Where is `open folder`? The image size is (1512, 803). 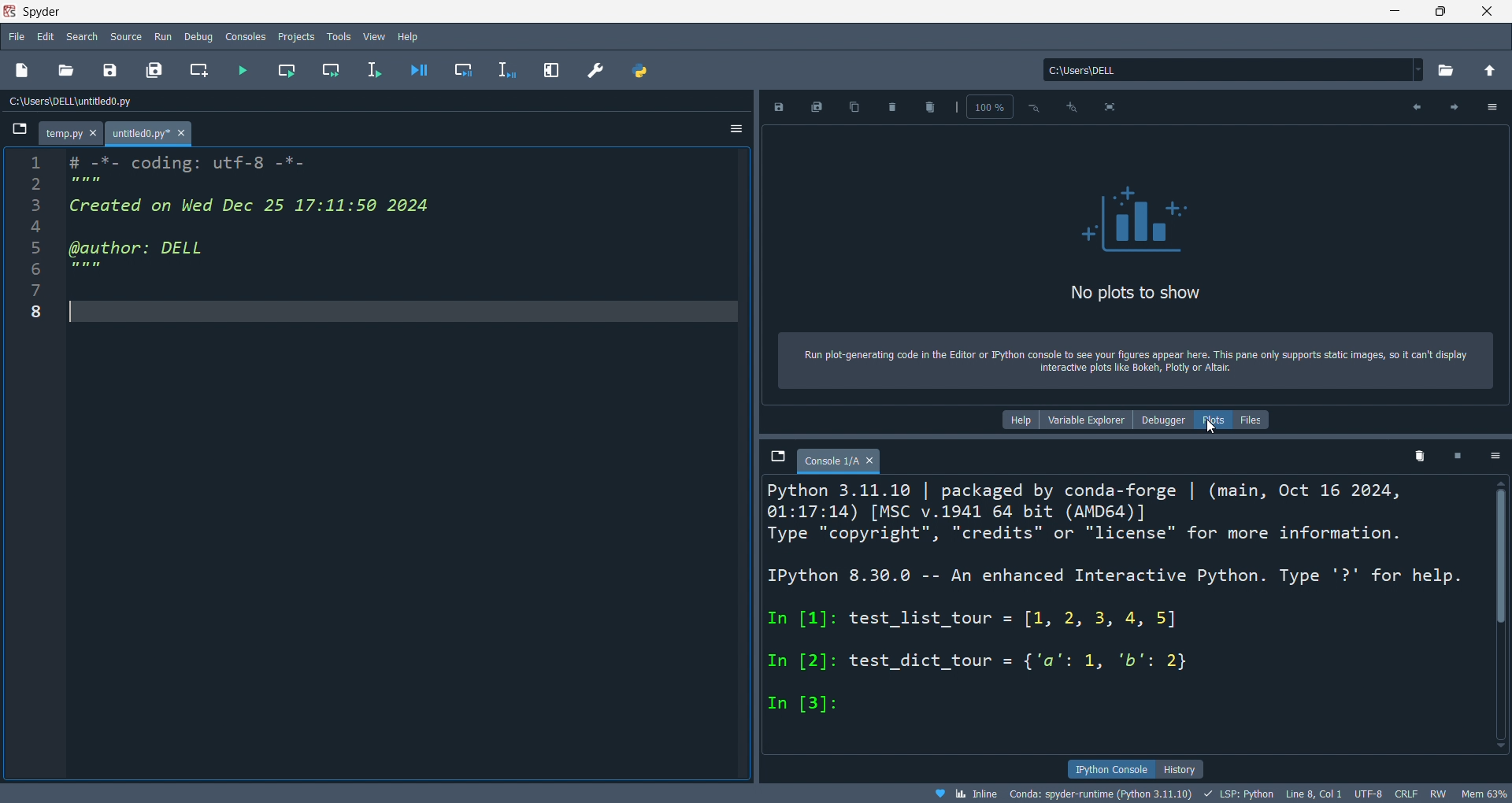 open folder is located at coordinates (1448, 70).